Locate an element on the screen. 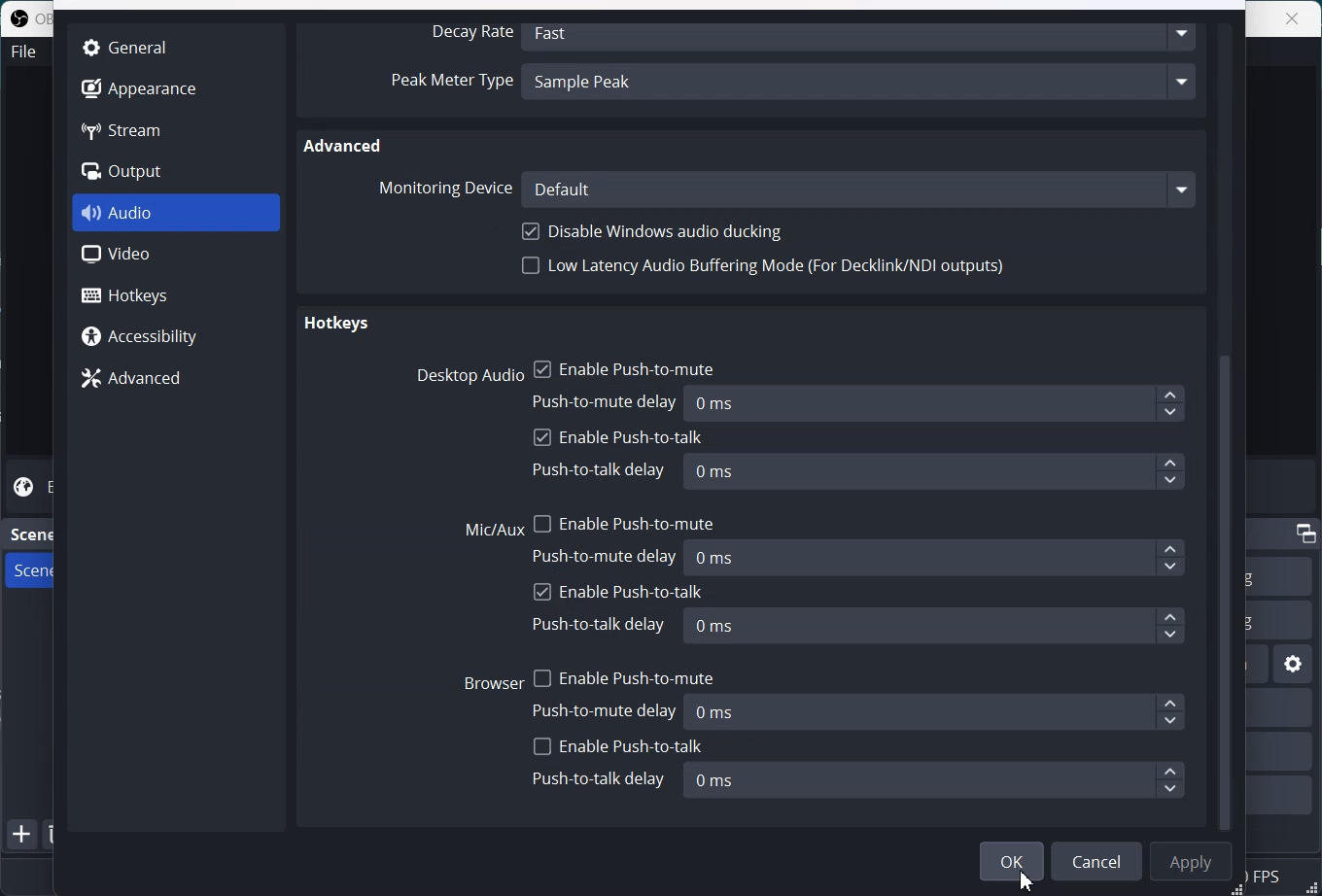  Scroll bar is located at coordinates (1231, 425).